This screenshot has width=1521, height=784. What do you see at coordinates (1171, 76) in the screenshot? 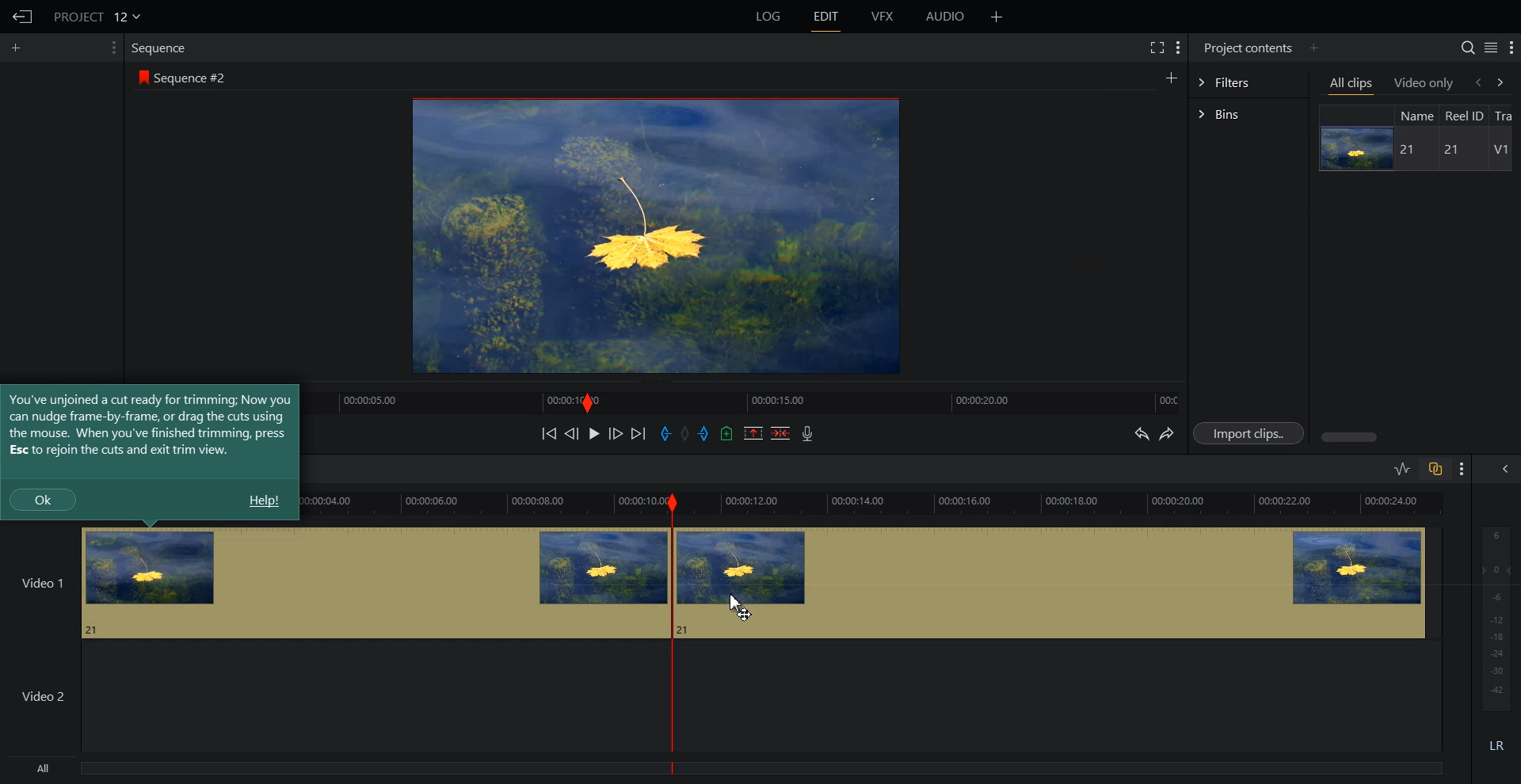
I see `Add Panel` at bounding box center [1171, 76].